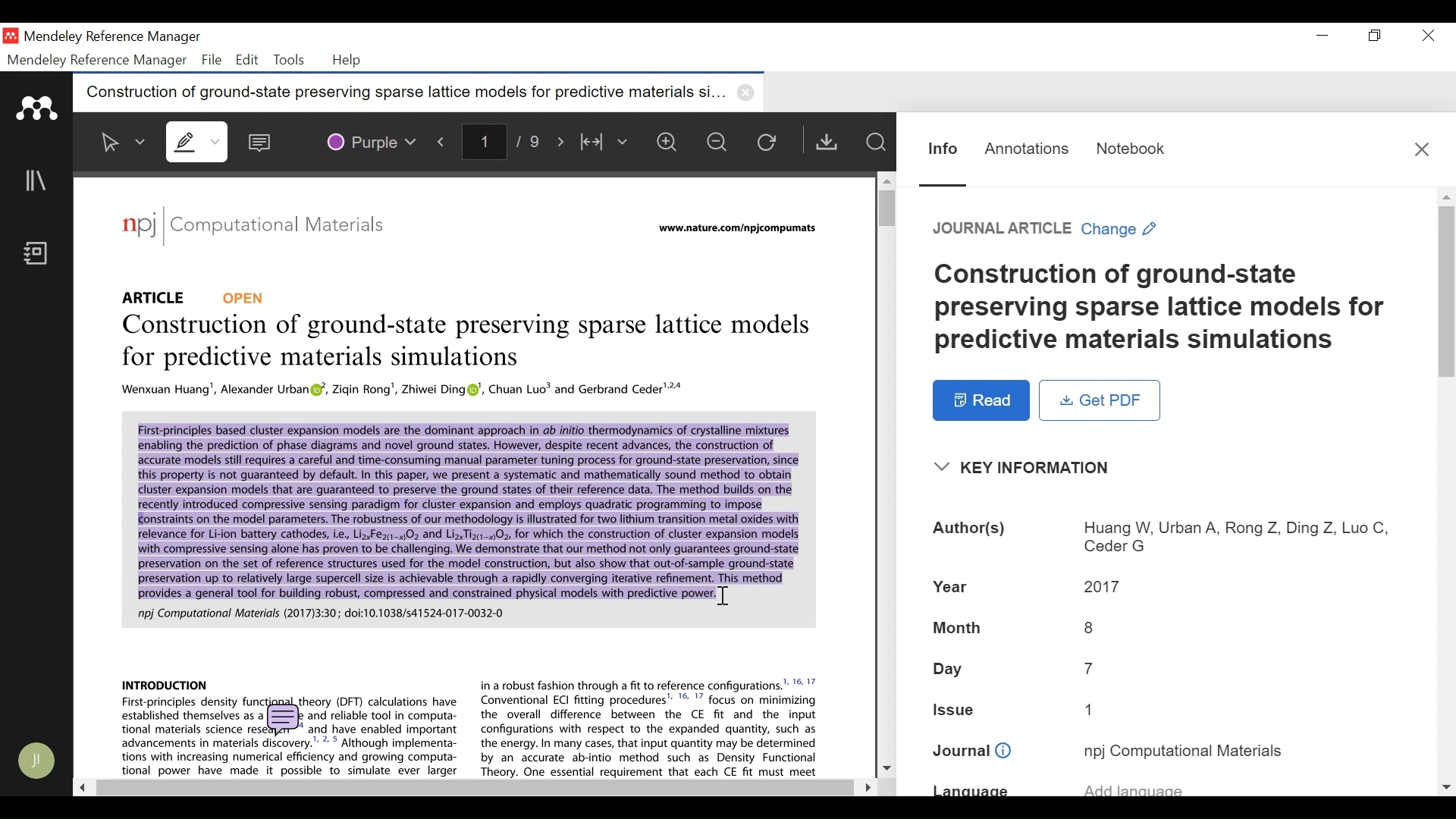 This screenshot has width=1456, height=819. Describe the element at coordinates (165, 683) in the screenshot. I see `PDF Context` at that location.